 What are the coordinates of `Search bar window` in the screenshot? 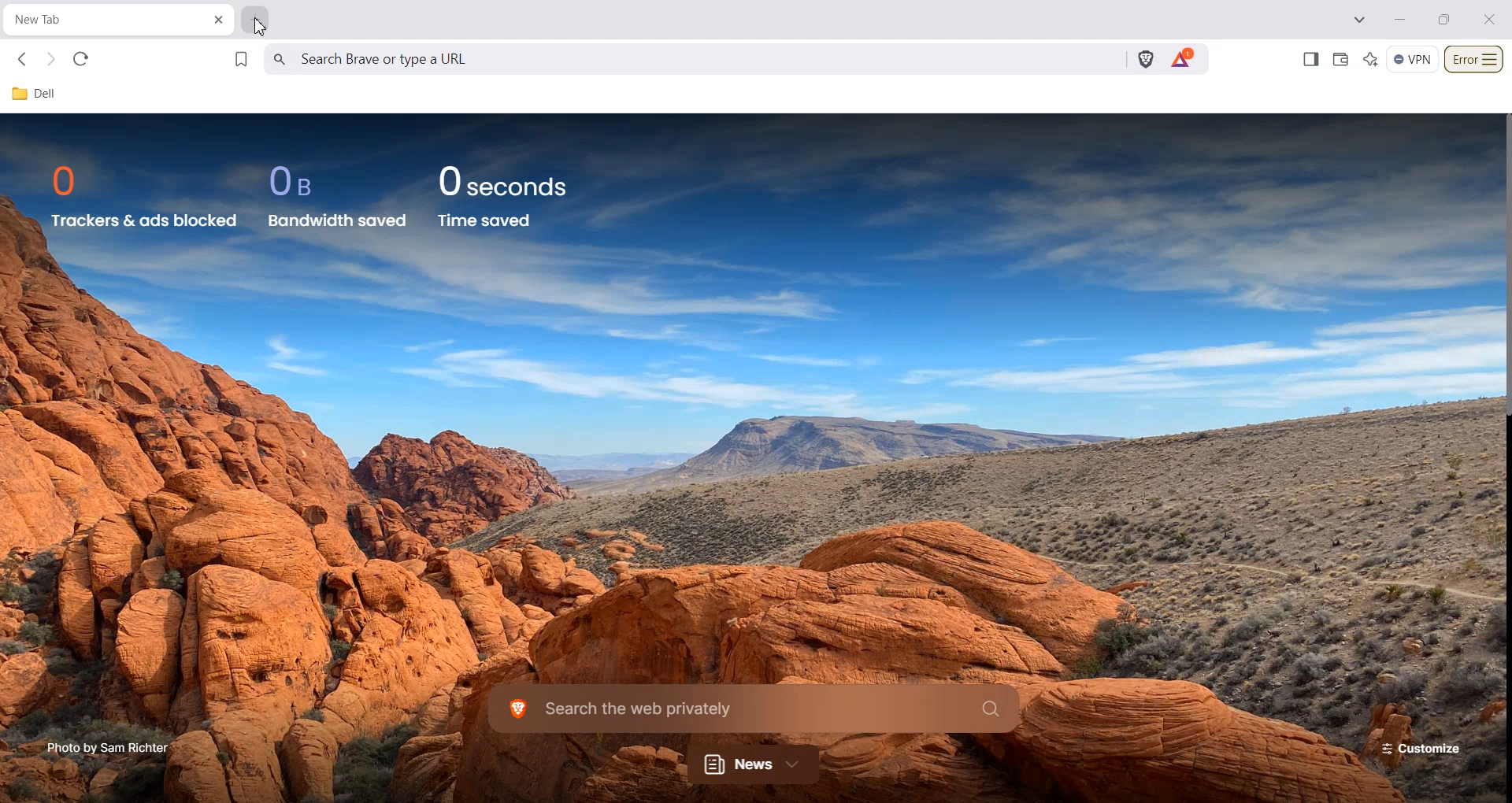 It's located at (693, 59).